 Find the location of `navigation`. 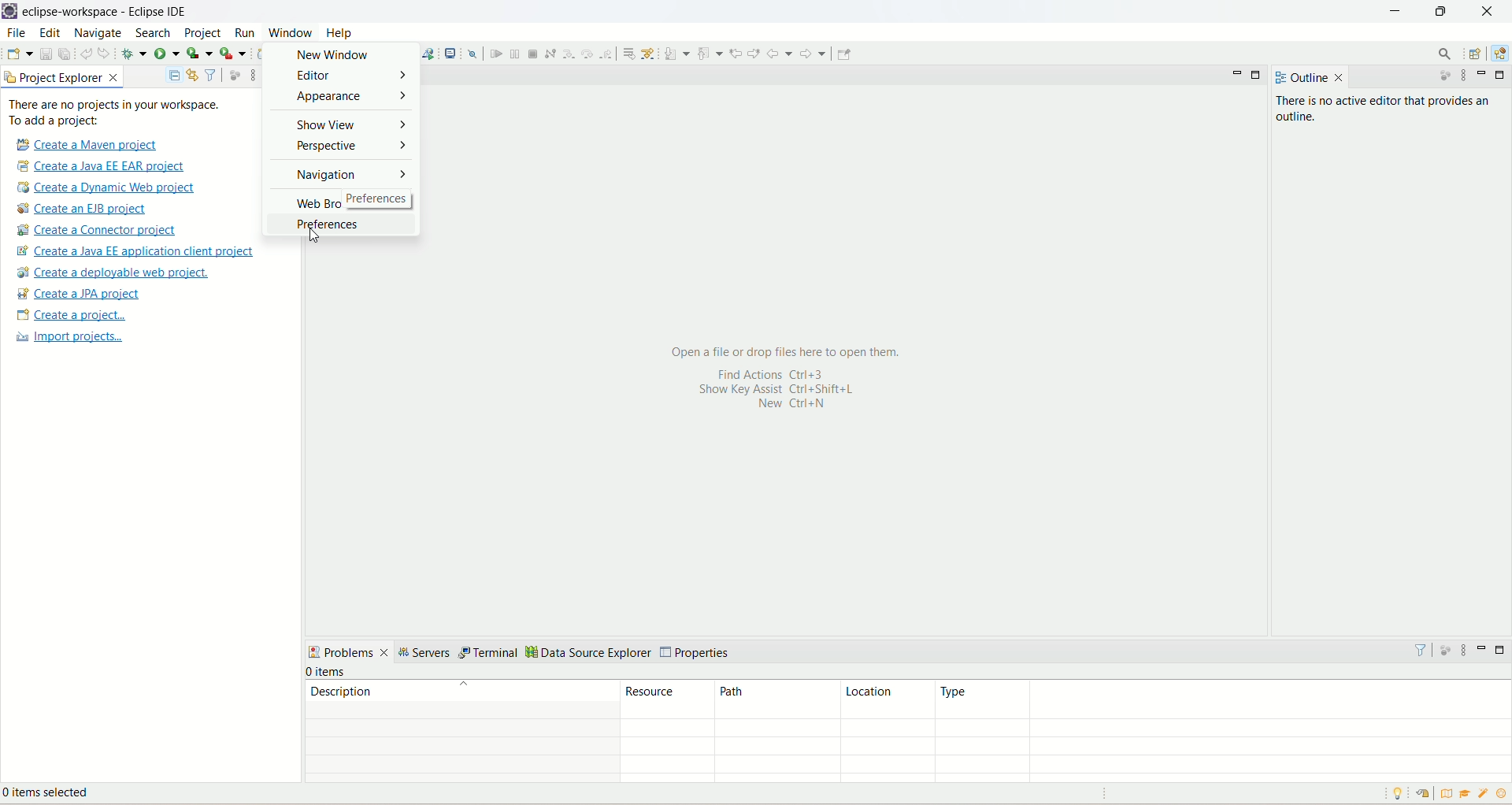

navigation is located at coordinates (344, 178).